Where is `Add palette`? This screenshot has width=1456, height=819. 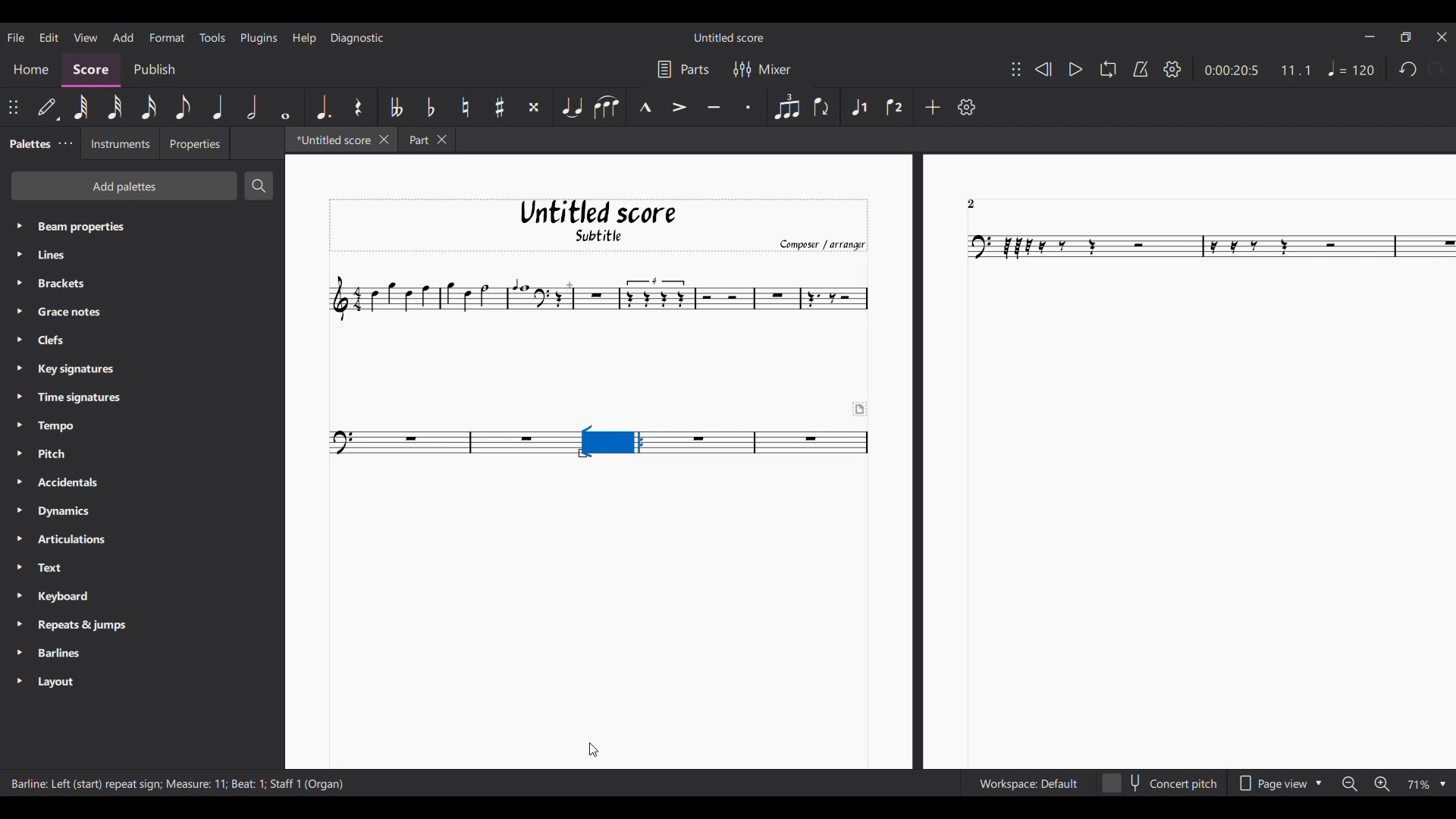
Add palette is located at coordinates (125, 186).